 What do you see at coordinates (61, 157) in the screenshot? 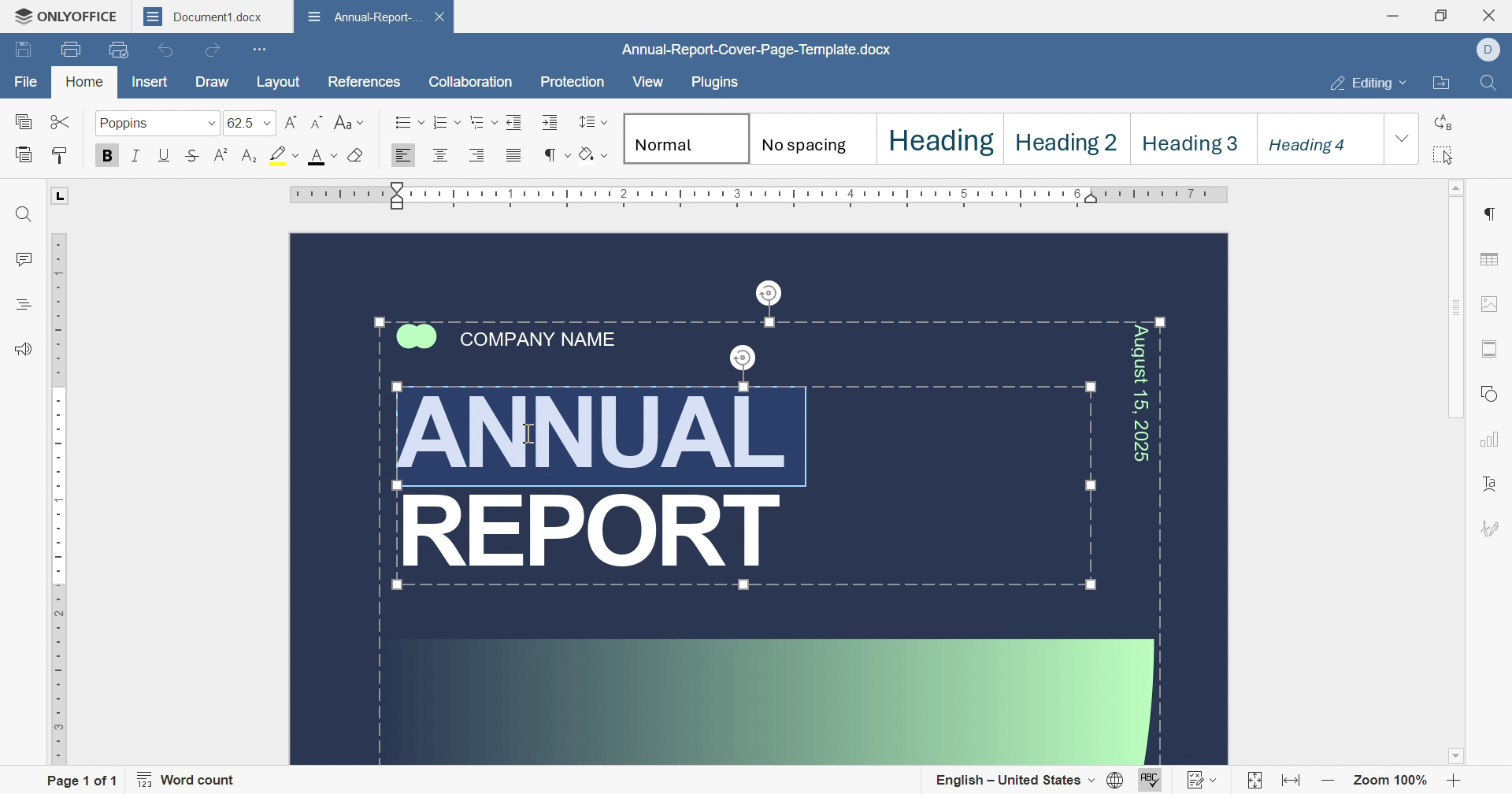
I see `copy style` at bounding box center [61, 157].